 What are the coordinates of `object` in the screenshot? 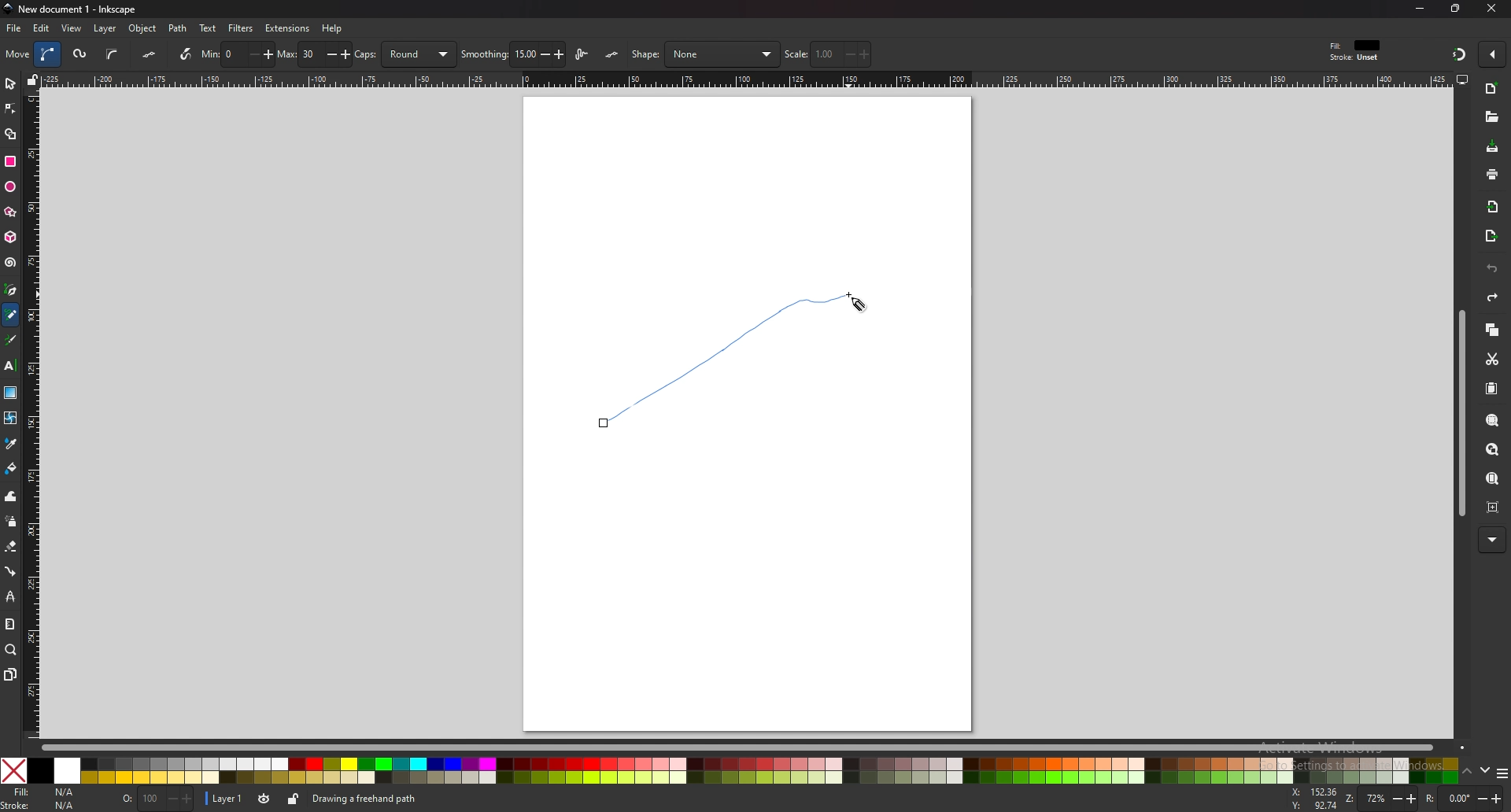 It's located at (142, 28).